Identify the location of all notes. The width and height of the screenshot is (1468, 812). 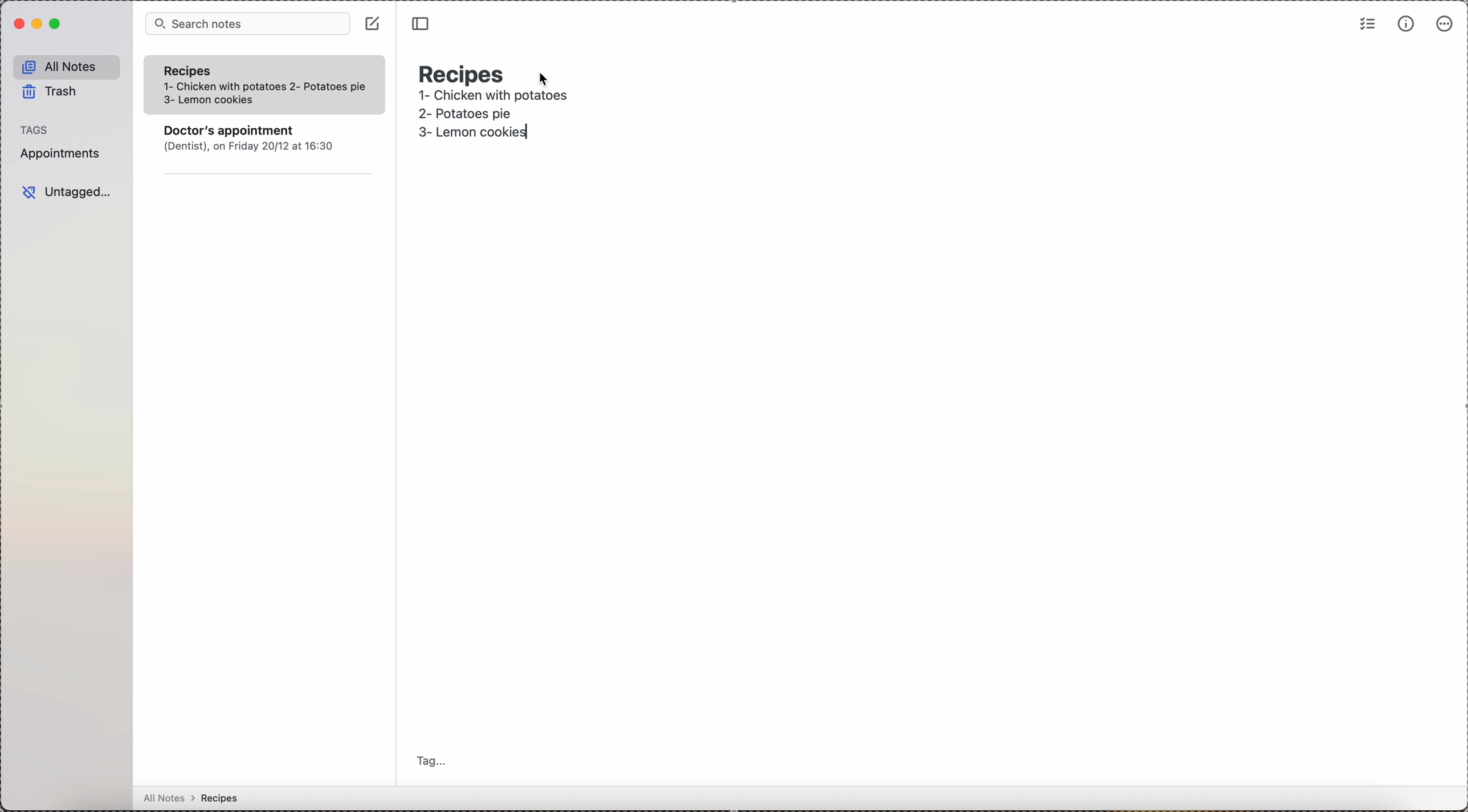
(229, 798).